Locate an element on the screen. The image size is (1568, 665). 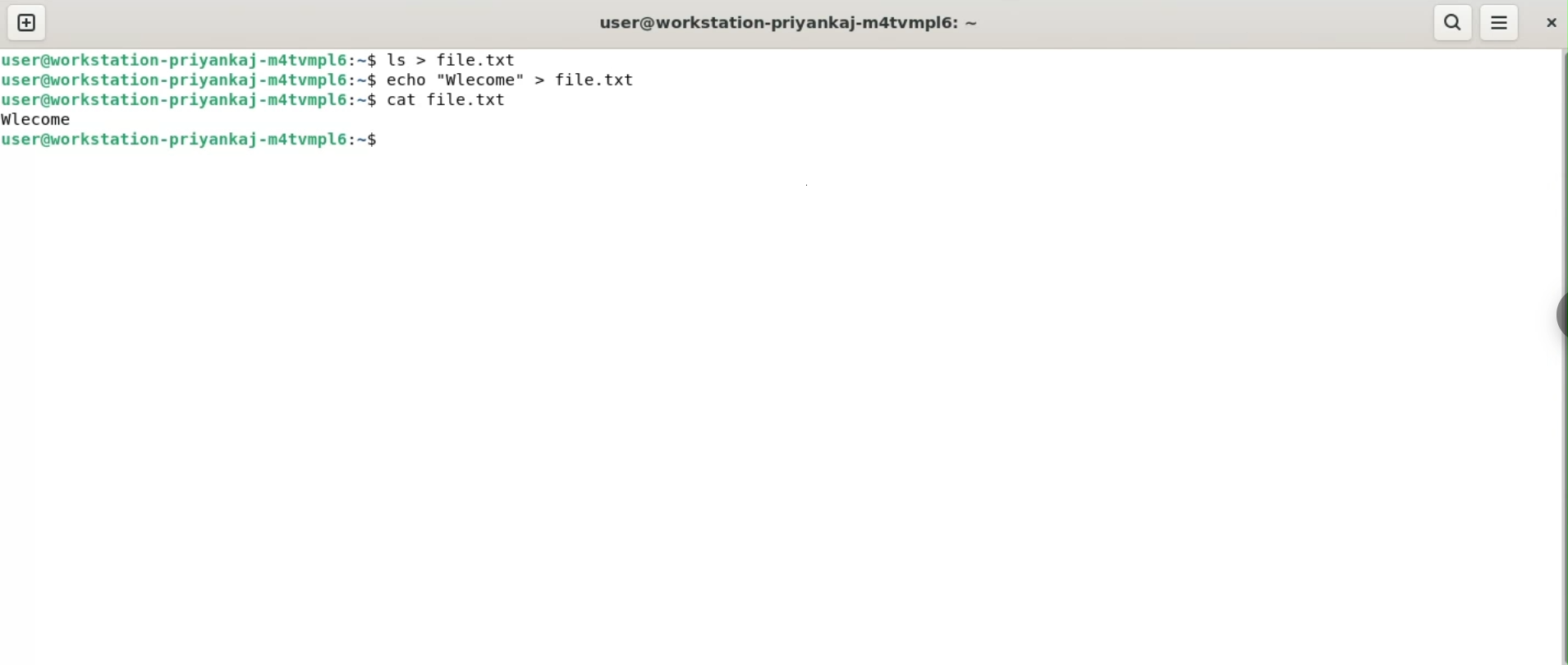
user@workstation-priyankaj-m4tvmpl6: ~$ is located at coordinates (190, 80).